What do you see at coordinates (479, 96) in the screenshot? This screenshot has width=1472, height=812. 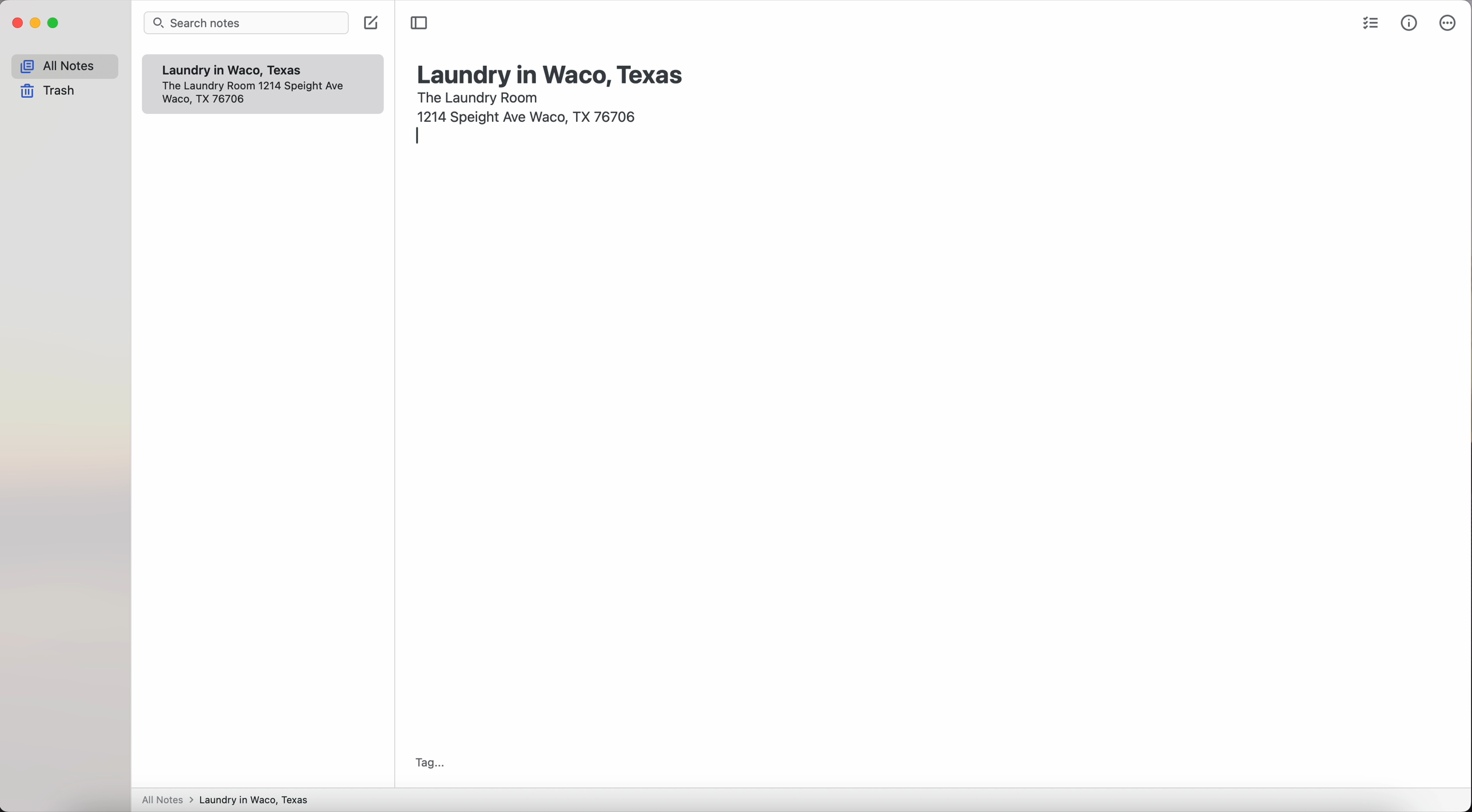 I see `the laundry room` at bounding box center [479, 96].